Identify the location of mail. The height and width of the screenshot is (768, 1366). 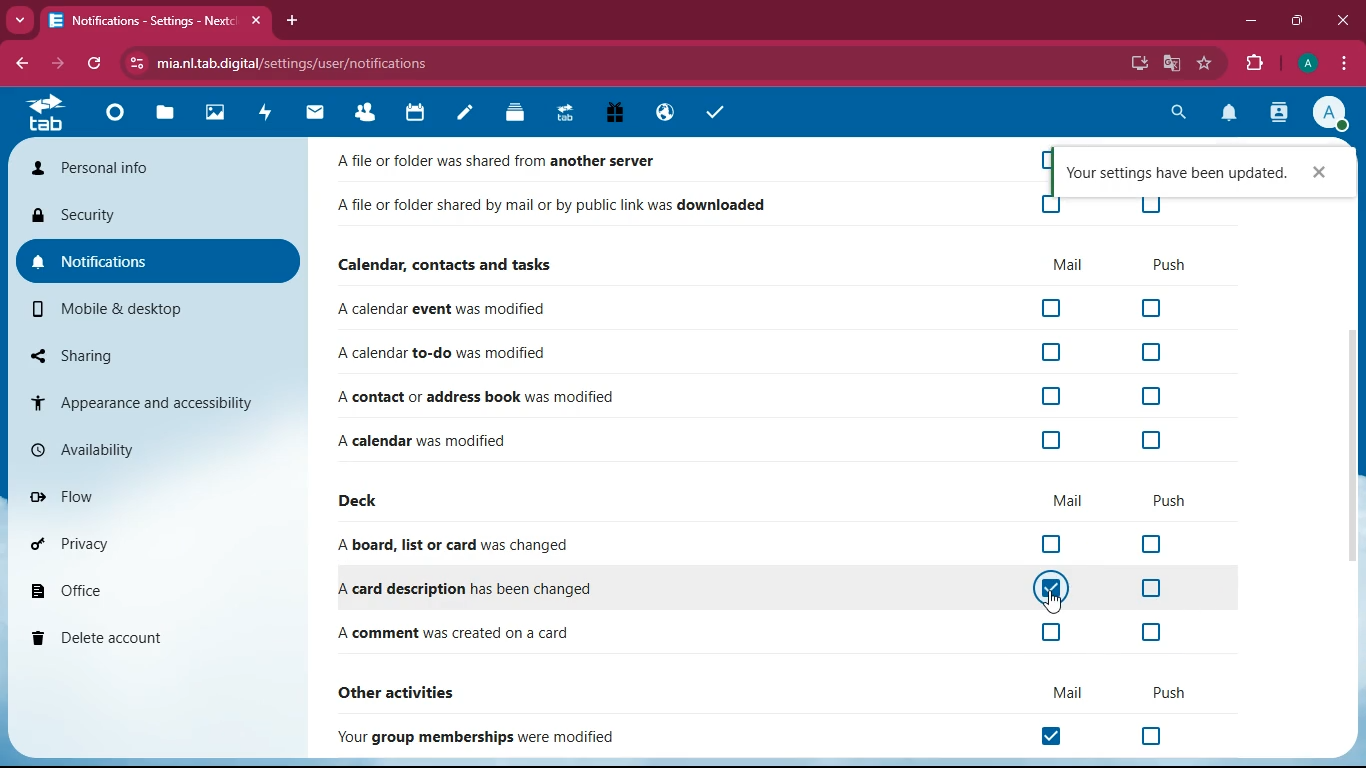
(1063, 263).